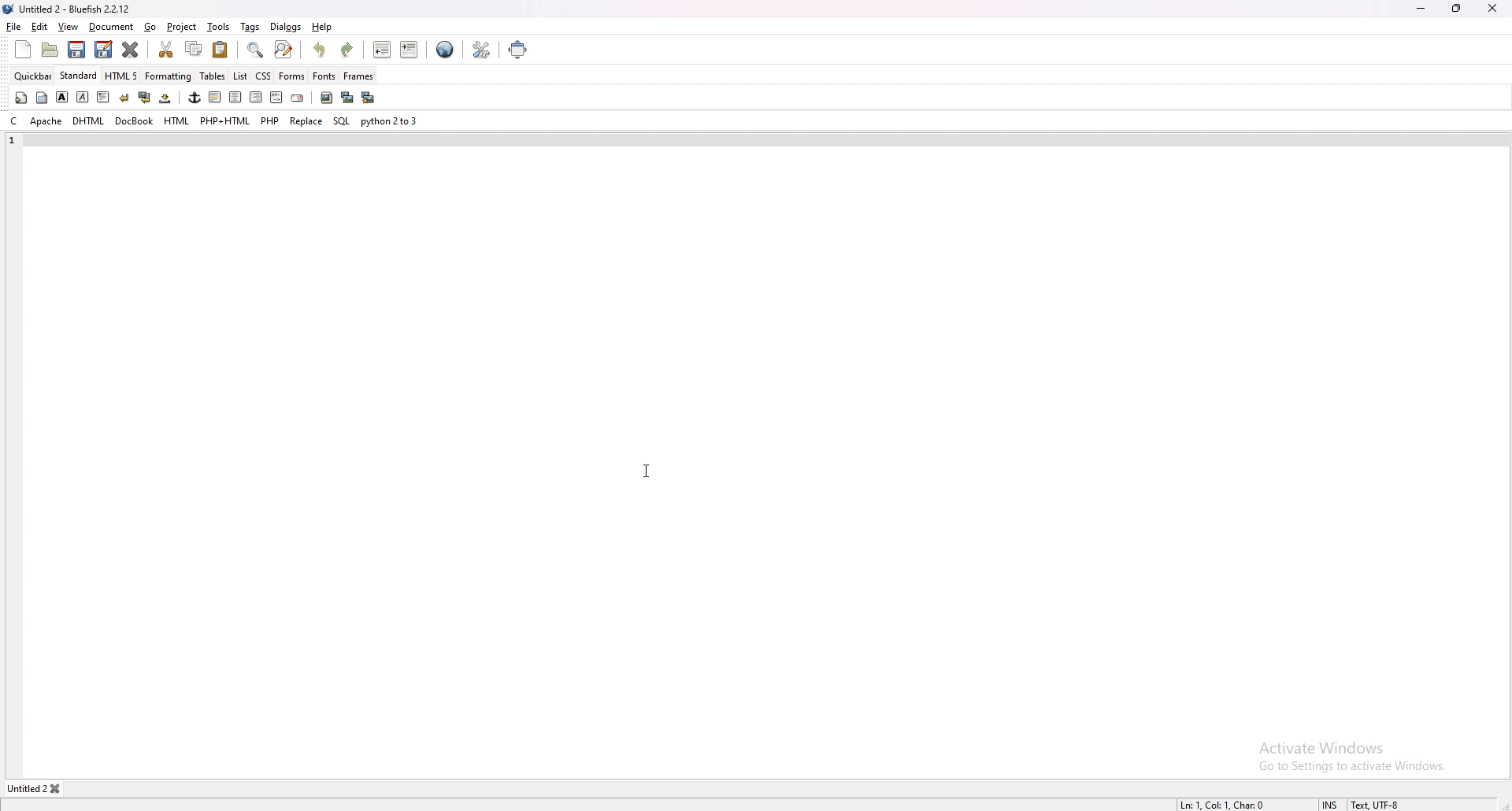 This screenshot has height=811, width=1512. What do you see at coordinates (165, 98) in the screenshot?
I see `non breaking space` at bounding box center [165, 98].